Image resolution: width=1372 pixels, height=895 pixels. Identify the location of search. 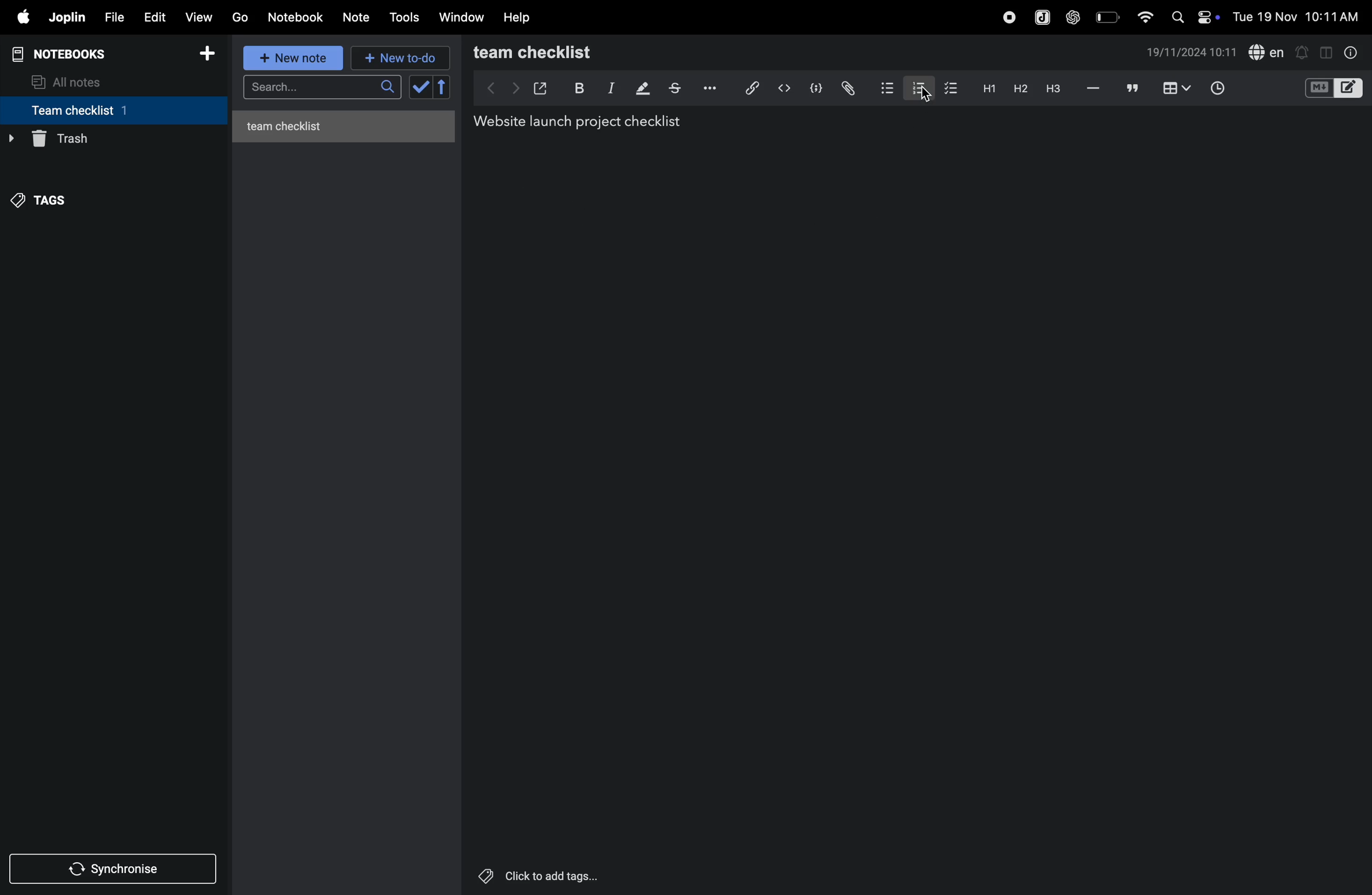
(1177, 17).